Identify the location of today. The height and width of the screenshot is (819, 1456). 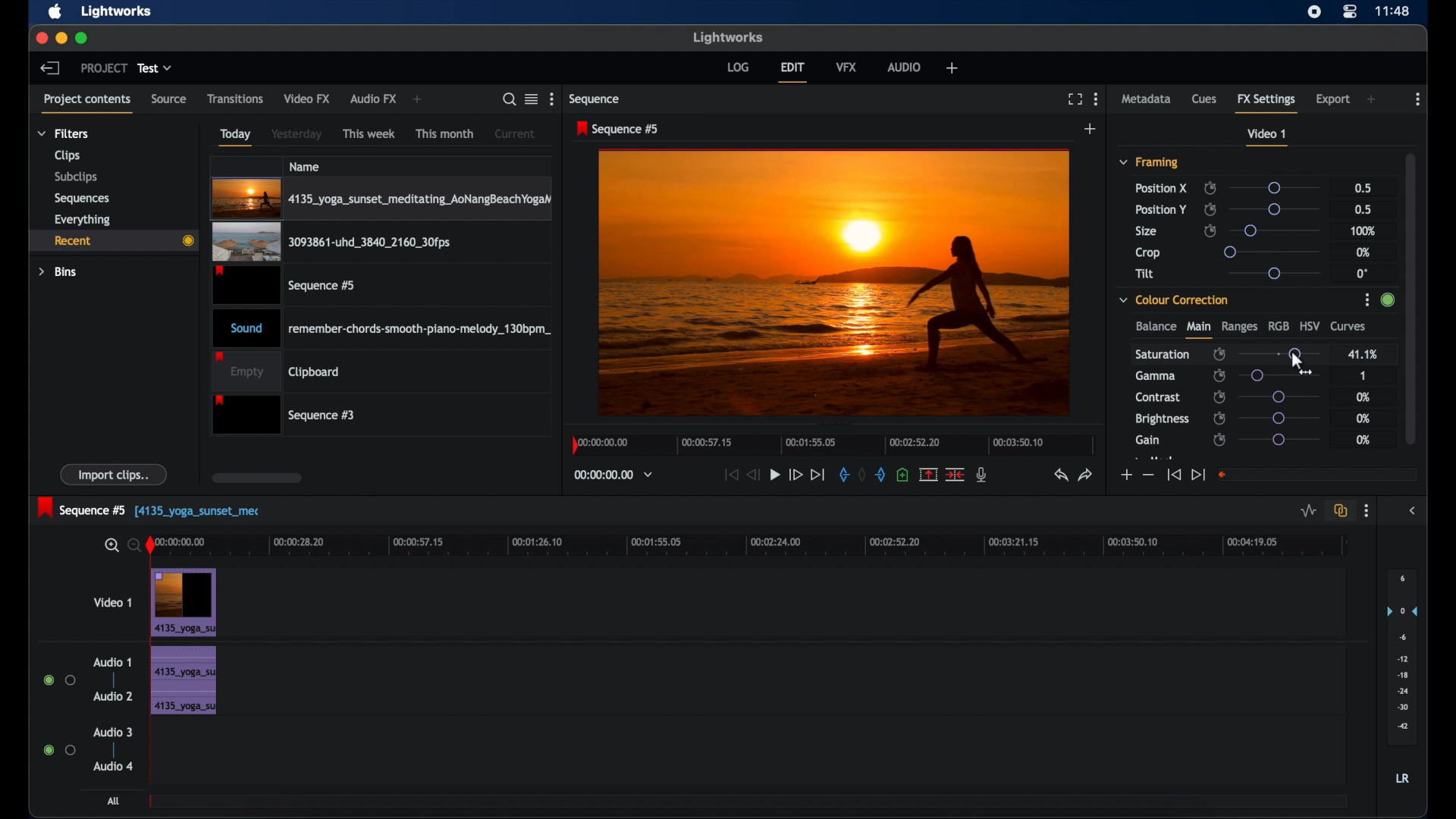
(235, 136).